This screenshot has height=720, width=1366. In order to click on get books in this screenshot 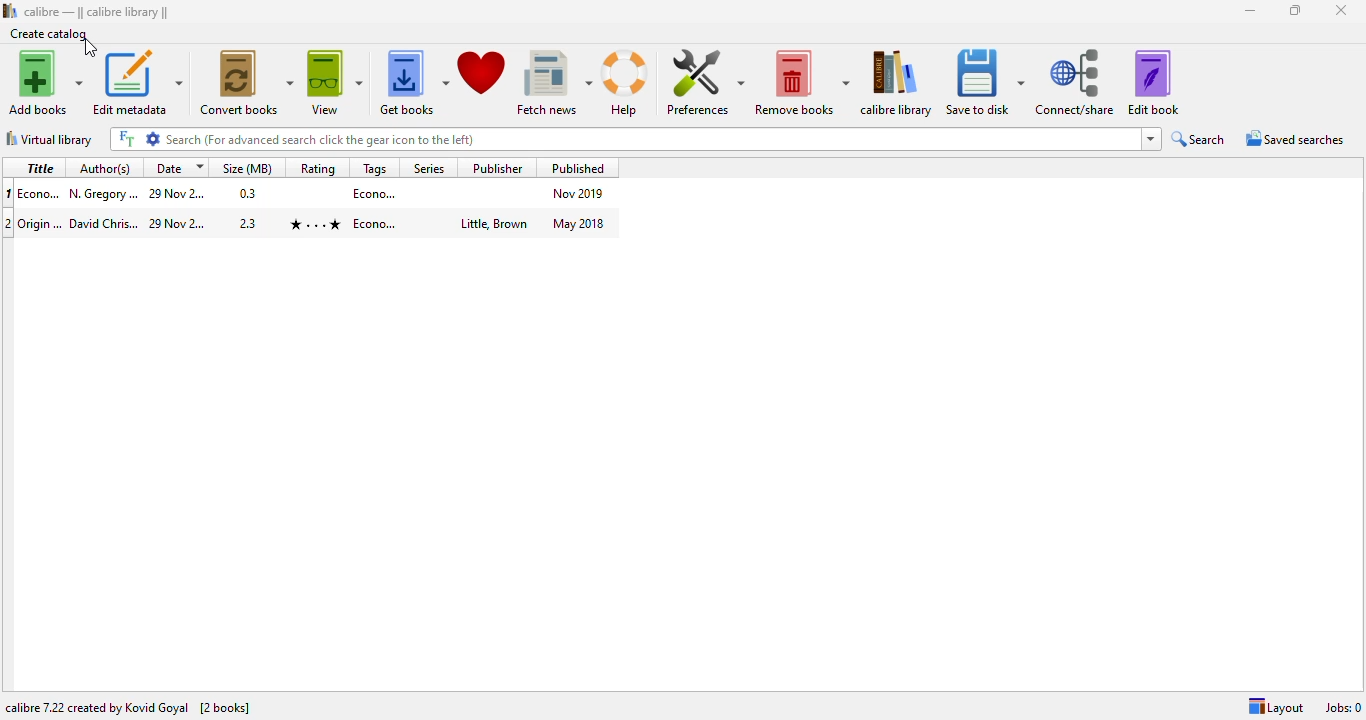, I will do `click(413, 82)`.